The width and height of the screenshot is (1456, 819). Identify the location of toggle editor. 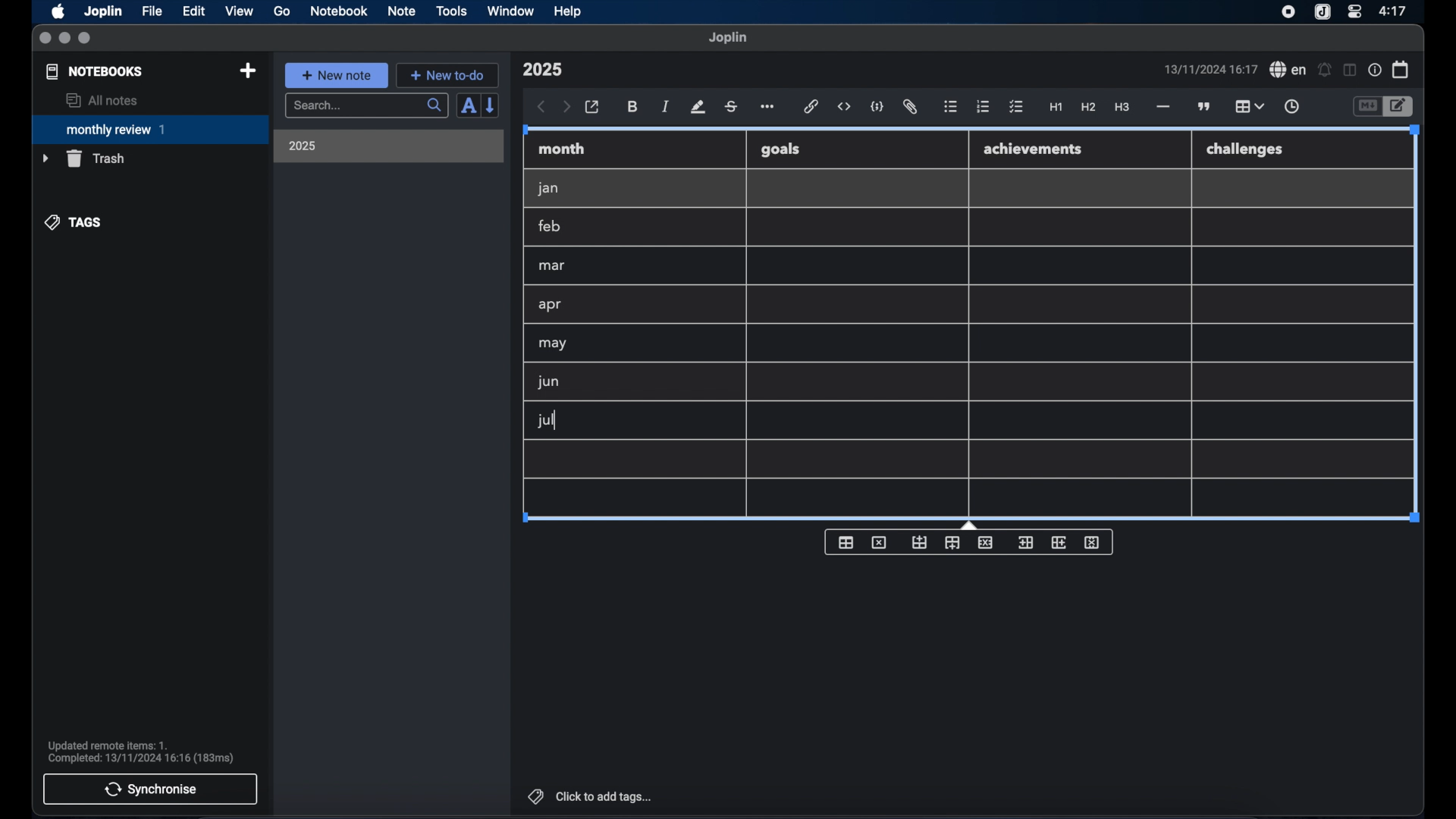
(1367, 107).